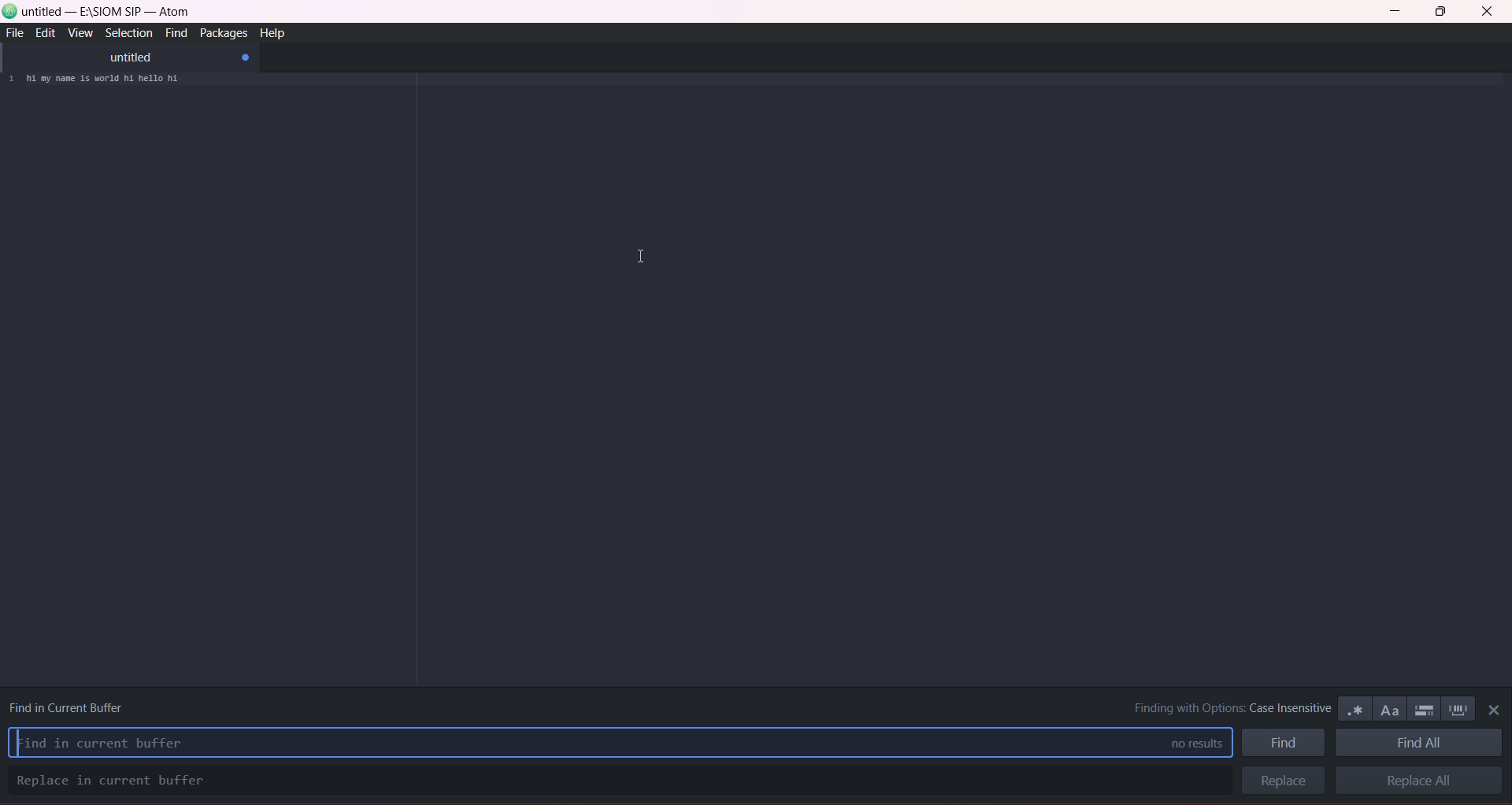 The height and width of the screenshot is (805, 1512). What do you see at coordinates (1221, 707) in the screenshot?
I see `finding with options : case insensitive` at bounding box center [1221, 707].